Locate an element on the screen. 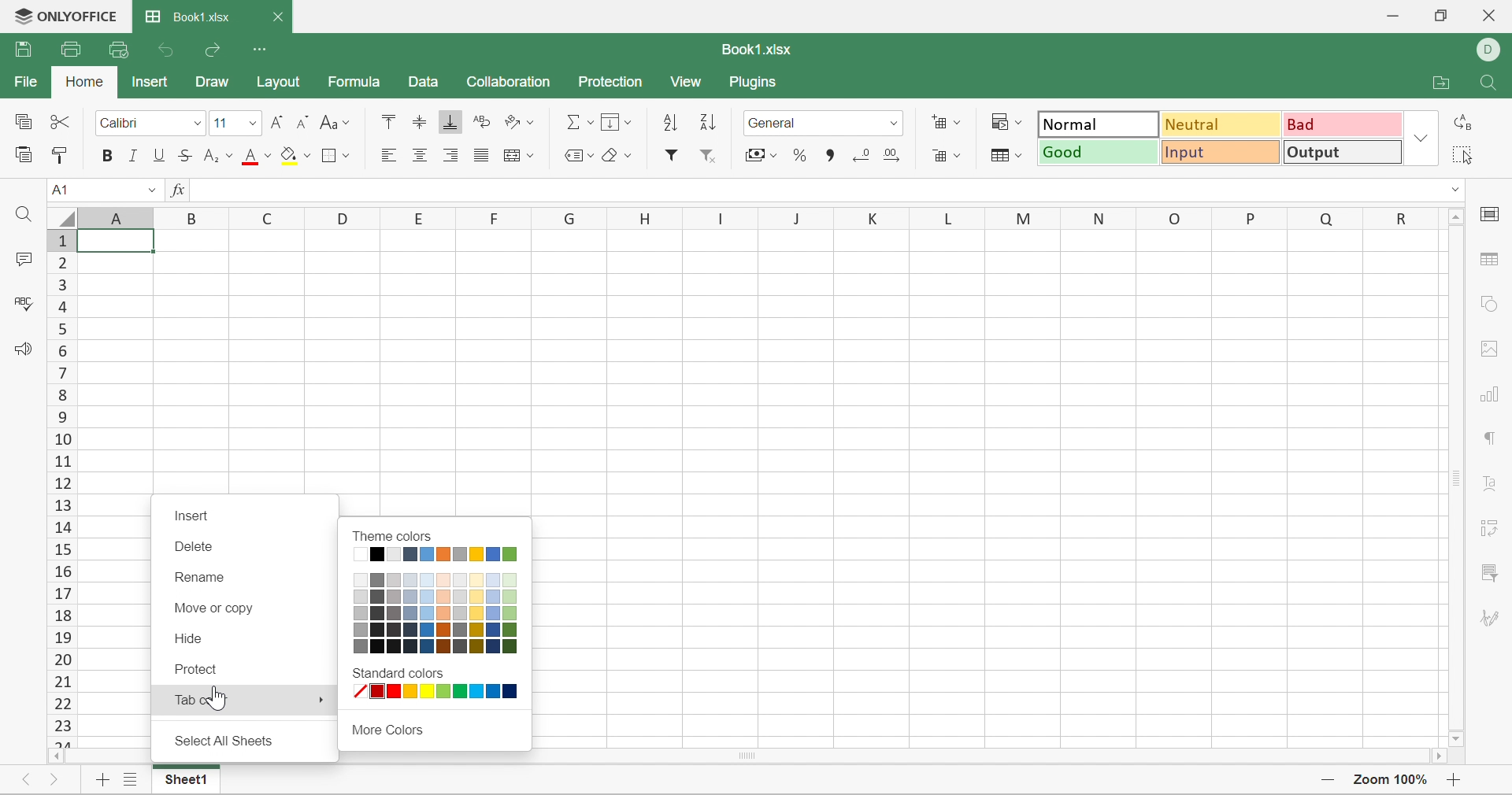  Add new sheet is located at coordinates (101, 780).